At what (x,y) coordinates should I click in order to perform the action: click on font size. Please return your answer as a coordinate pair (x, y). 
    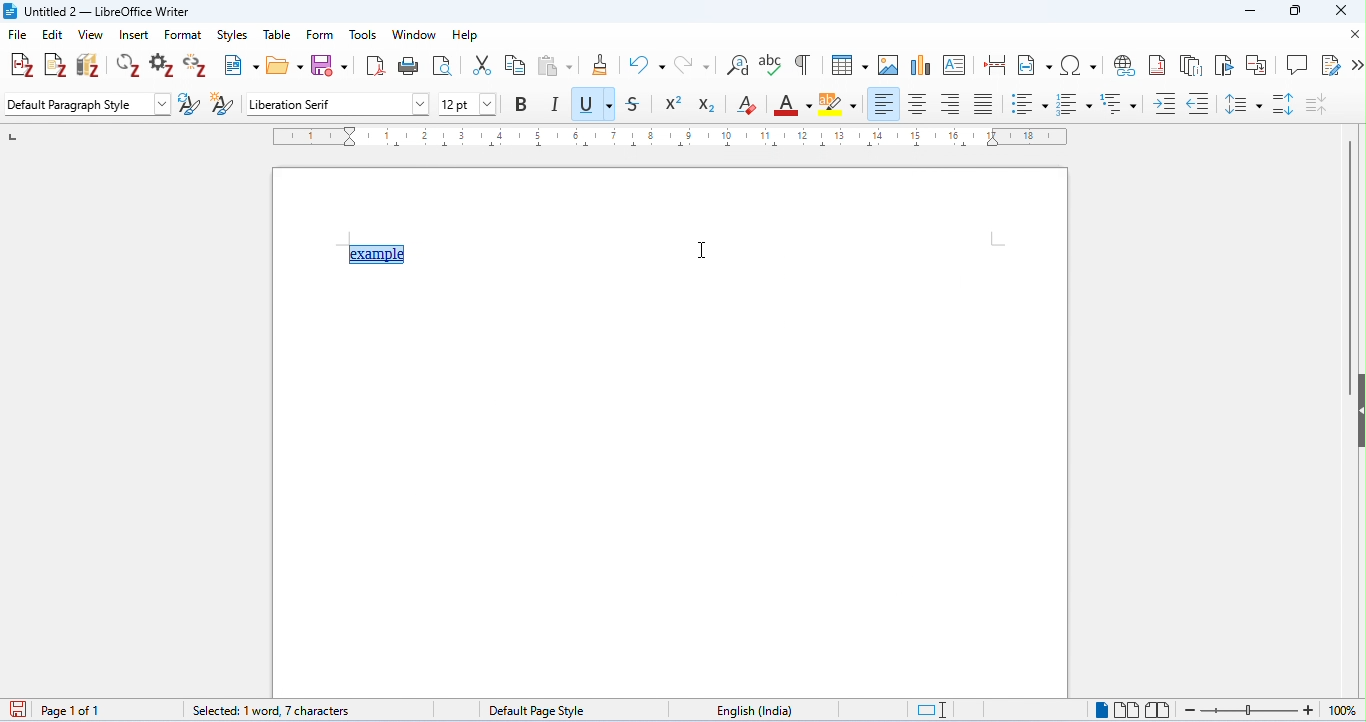
    Looking at the image, I should click on (472, 105).